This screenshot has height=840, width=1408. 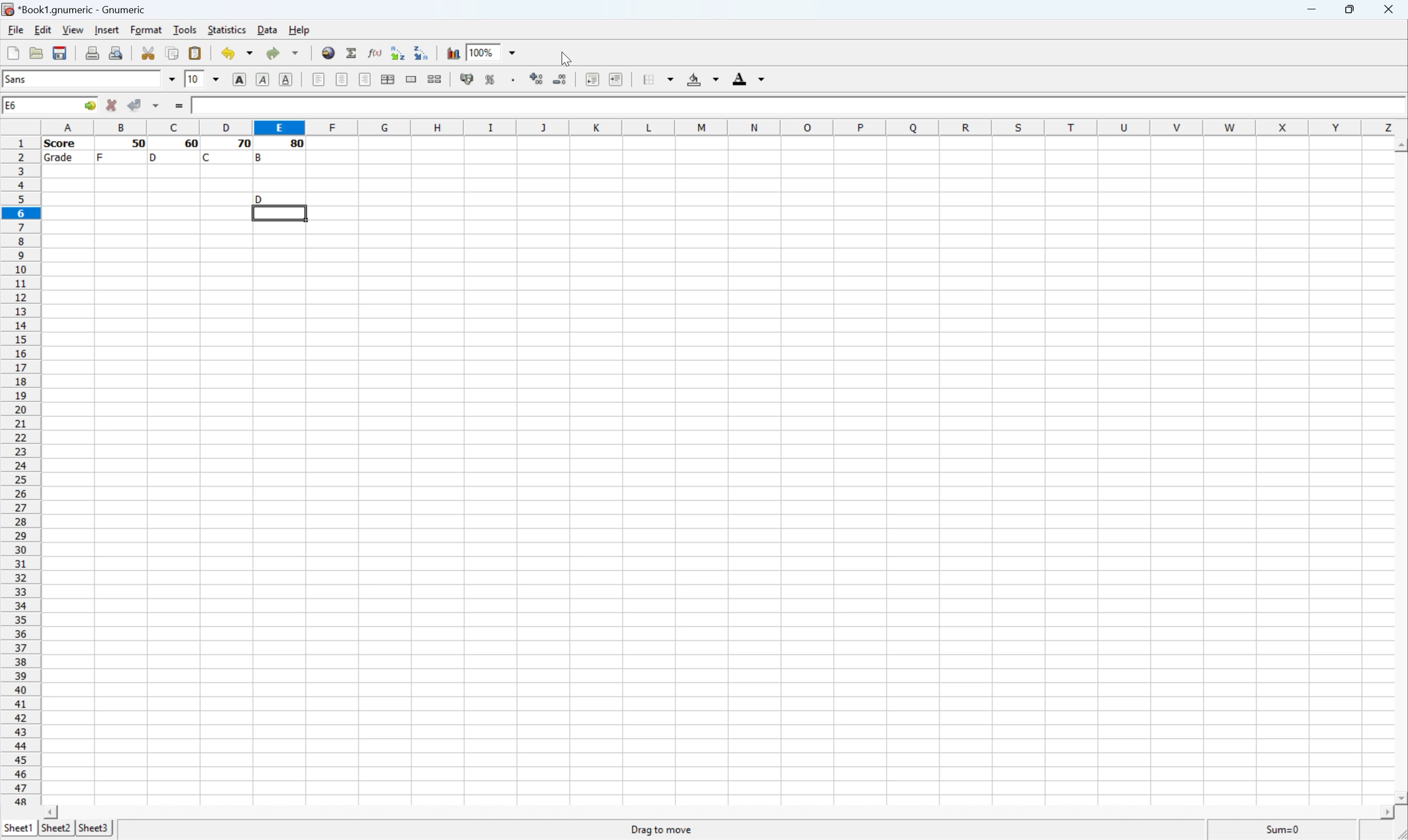 What do you see at coordinates (62, 50) in the screenshot?
I see `Save a workbook` at bounding box center [62, 50].